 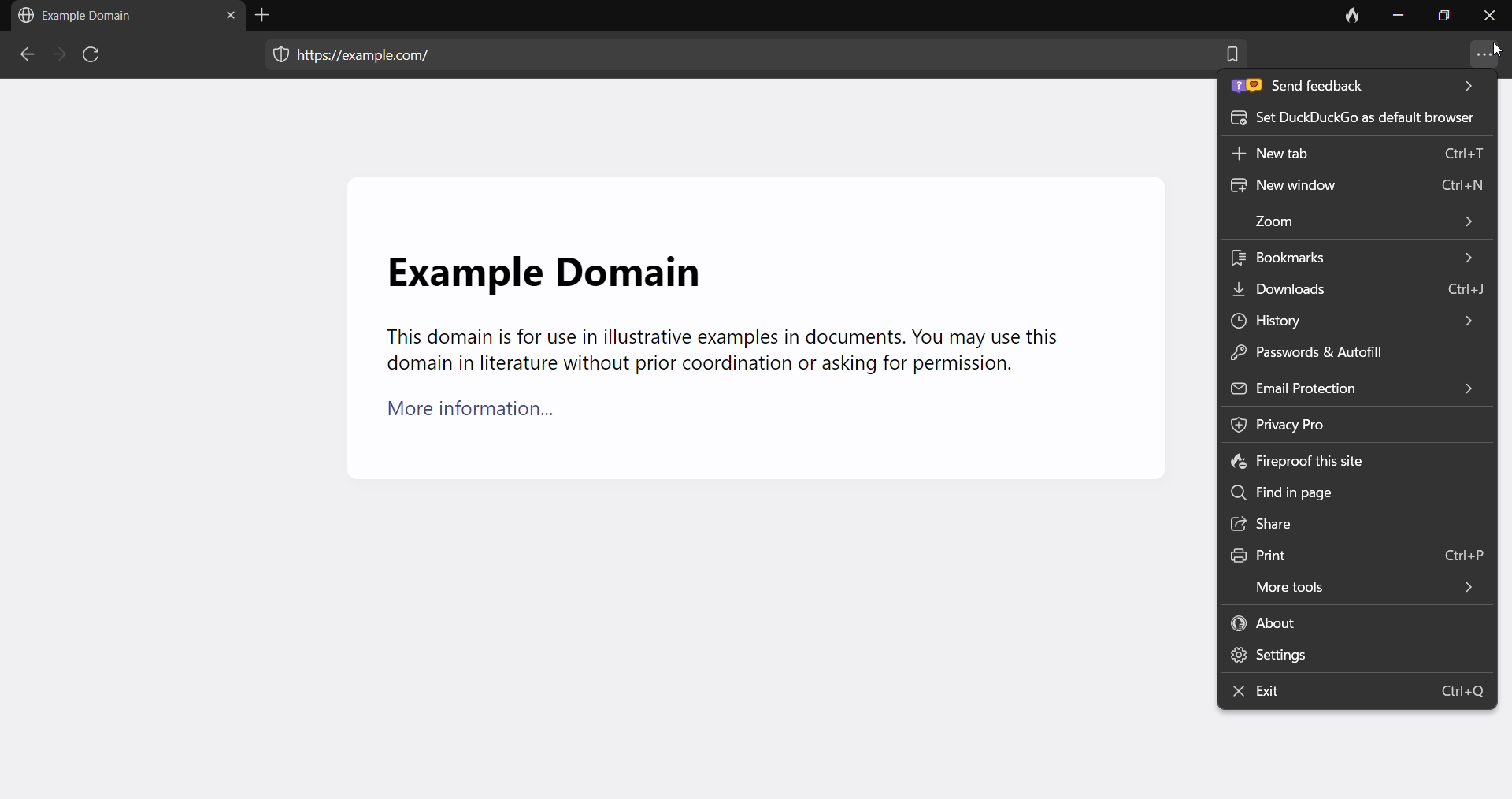 What do you see at coordinates (1359, 257) in the screenshot?
I see `bookmarks` at bounding box center [1359, 257].